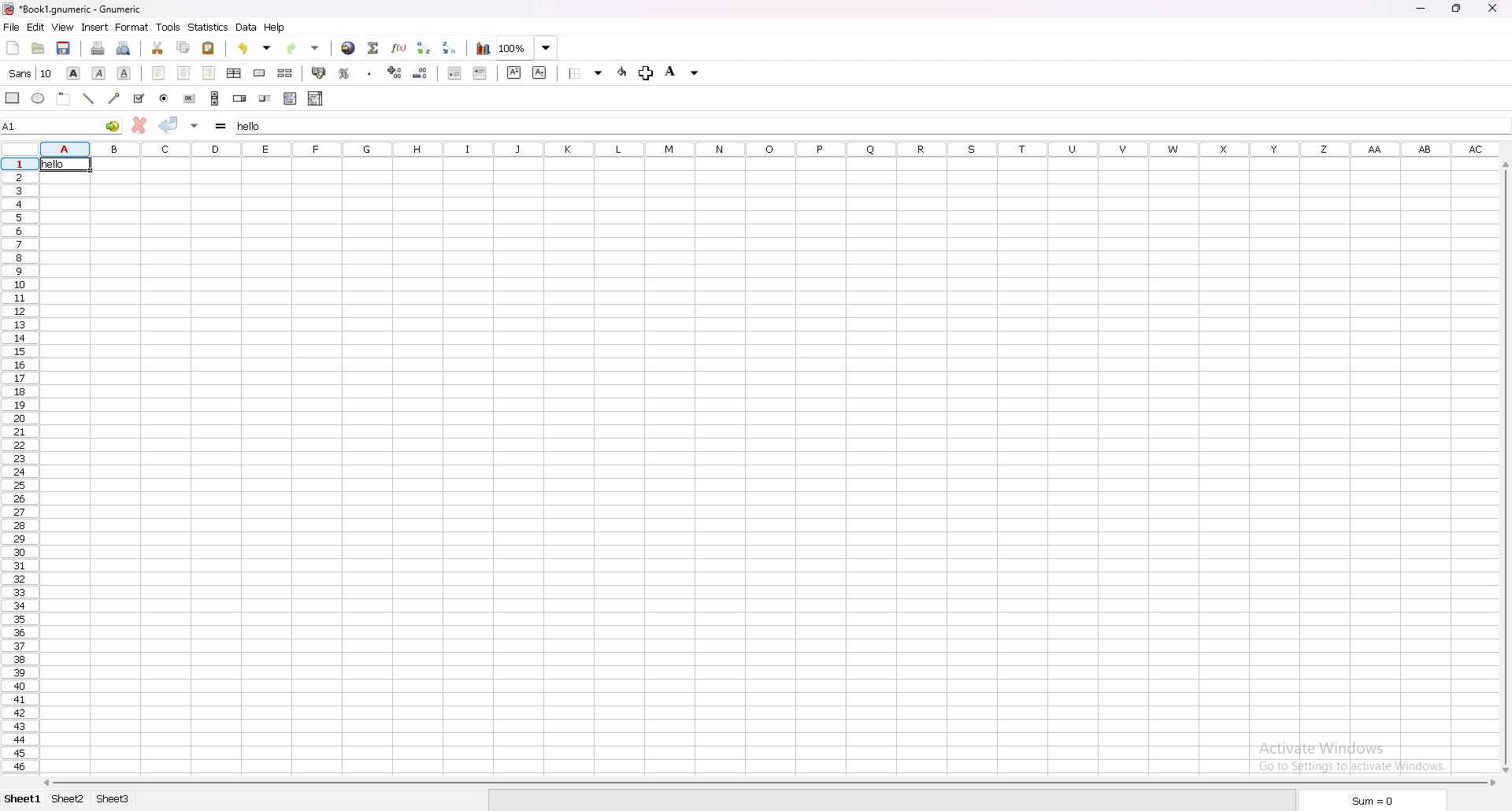 The width and height of the screenshot is (1512, 811). What do you see at coordinates (254, 48) in the screenshot?
I see `undo` at bounding box center [254, 48].